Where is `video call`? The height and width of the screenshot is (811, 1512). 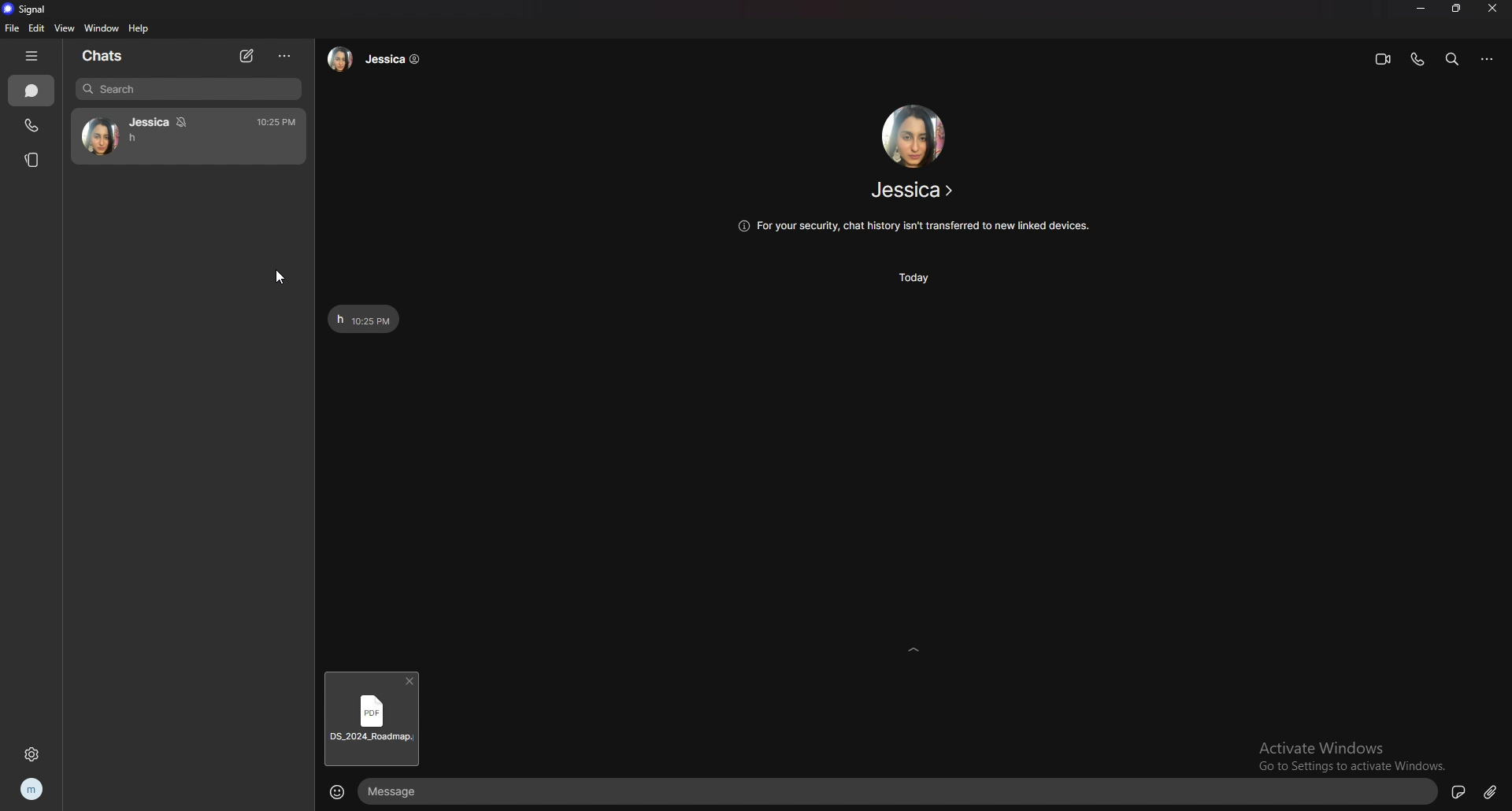
video call is located at coordinates (1383, 59).